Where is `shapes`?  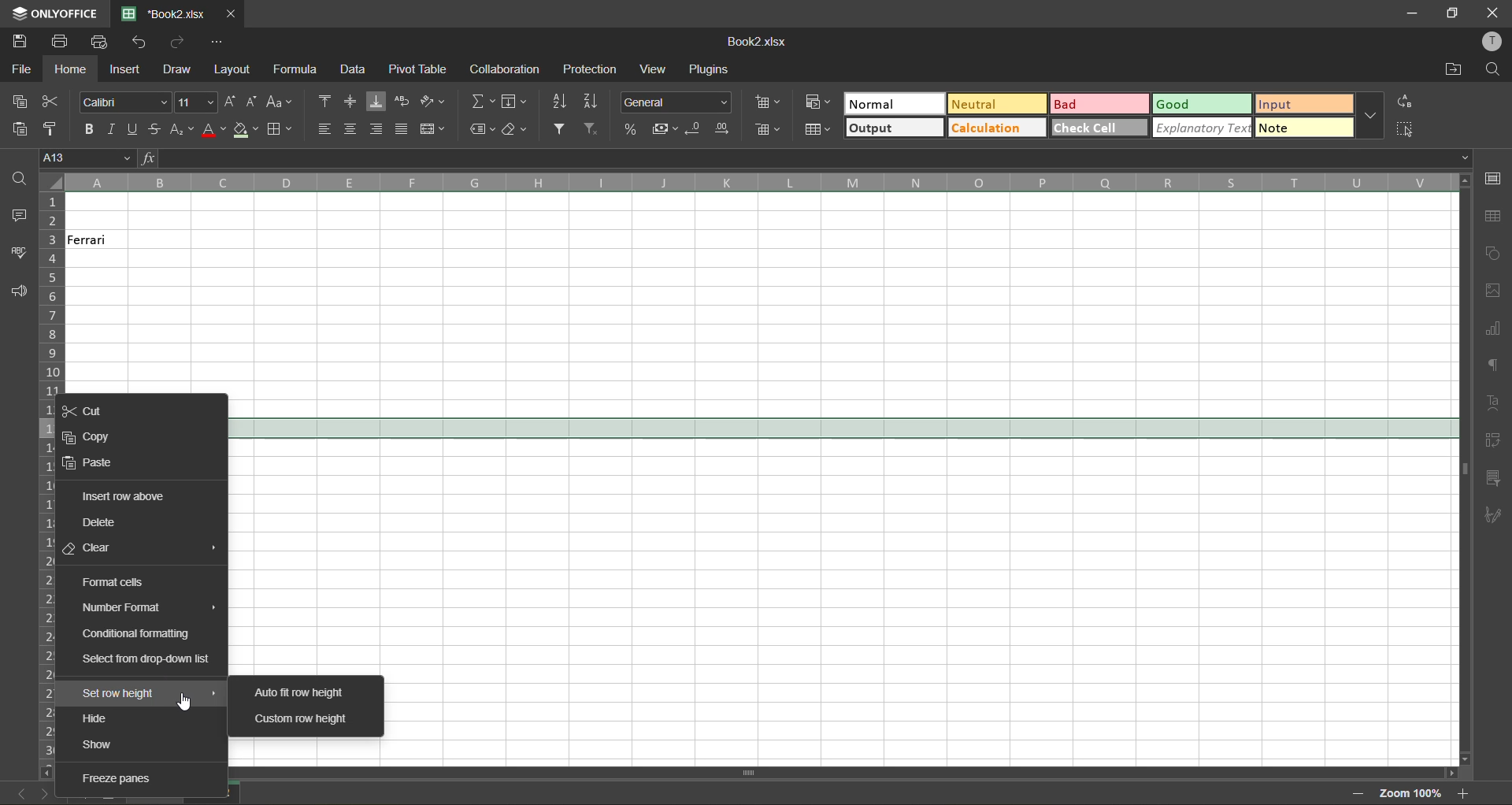
shapes is located at coordinates (1494, 254).